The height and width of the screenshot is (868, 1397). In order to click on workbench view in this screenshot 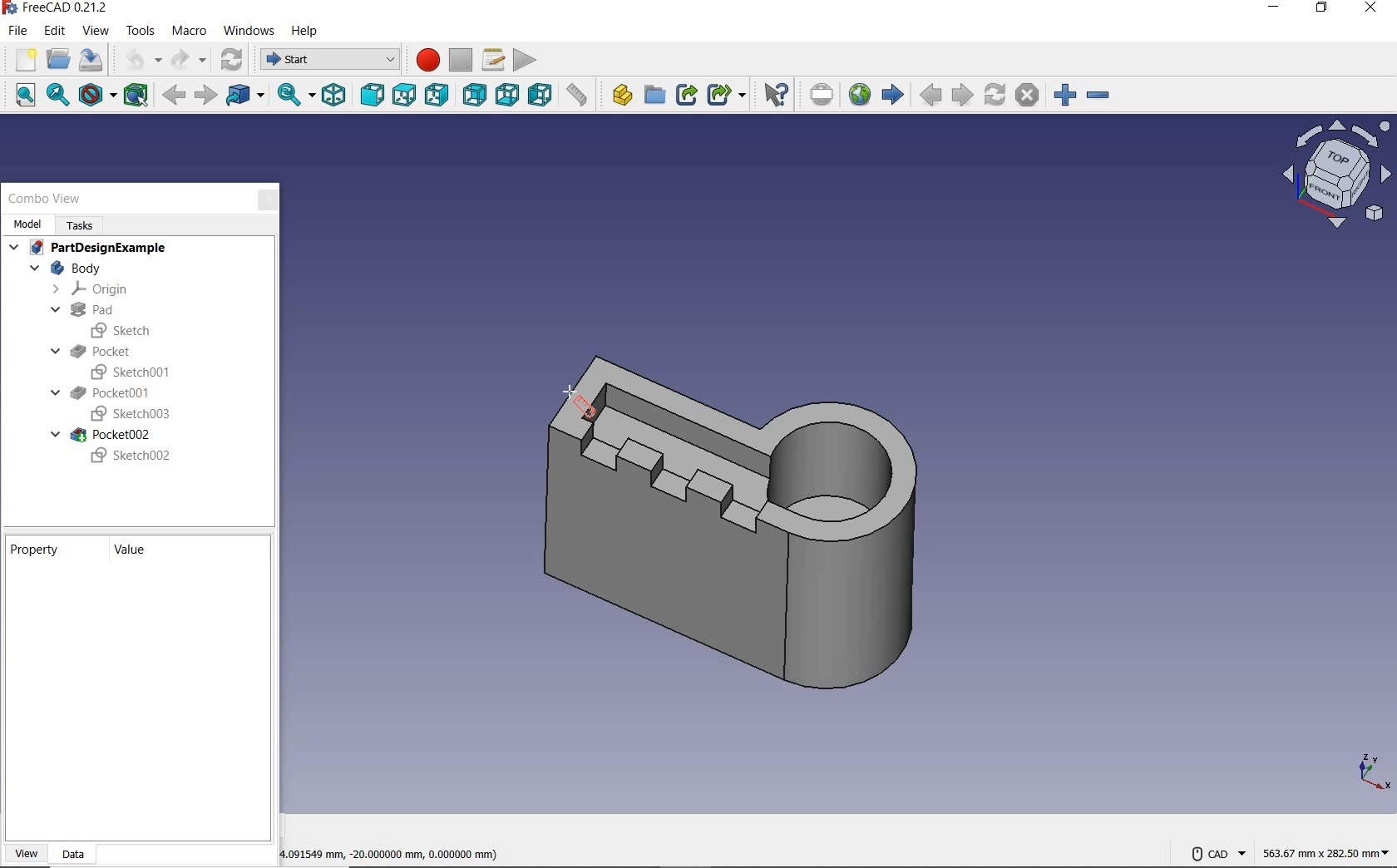, I will do `click(1335, 174)`.